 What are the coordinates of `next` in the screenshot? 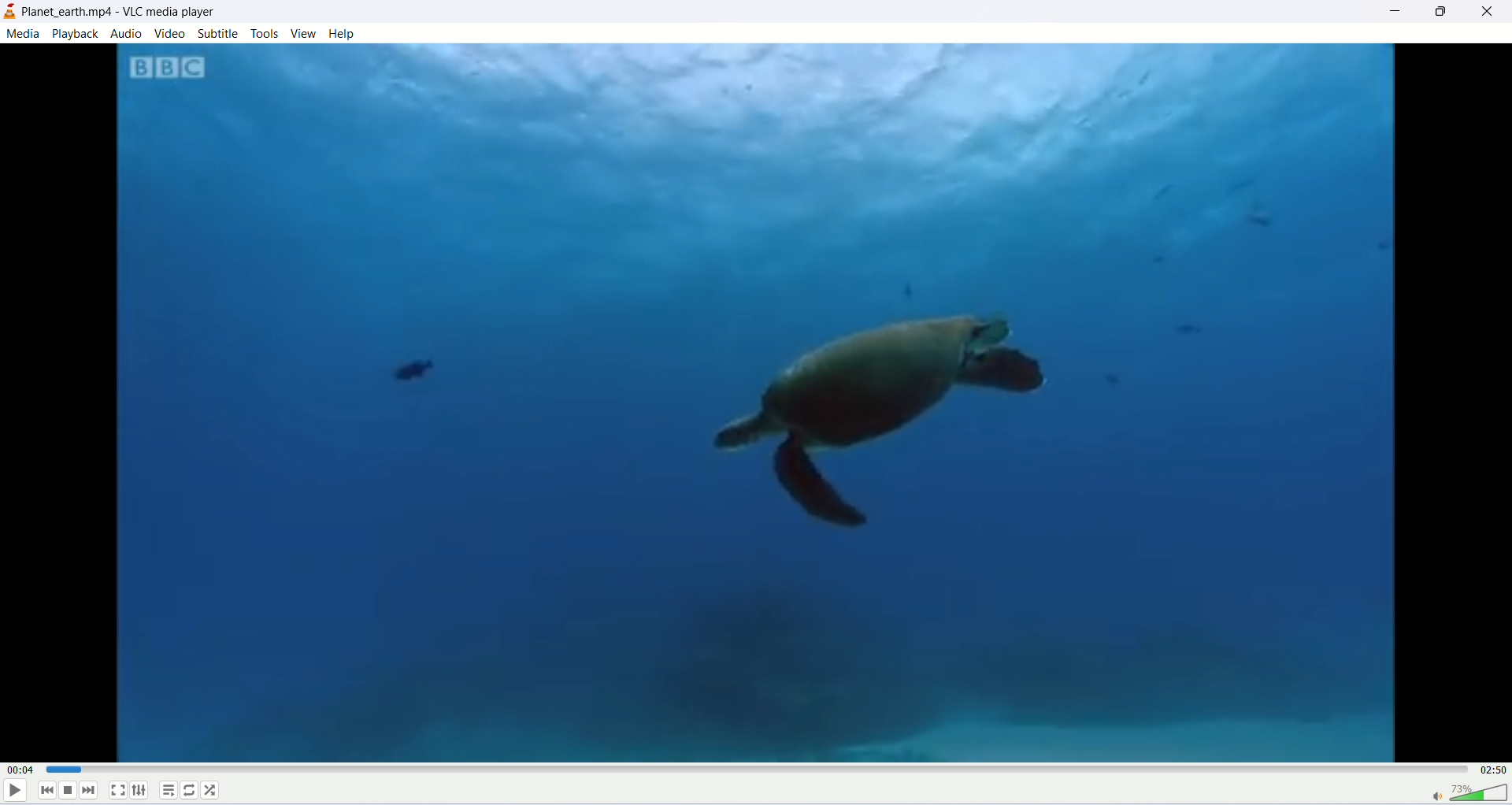 It's located at (91, 791).